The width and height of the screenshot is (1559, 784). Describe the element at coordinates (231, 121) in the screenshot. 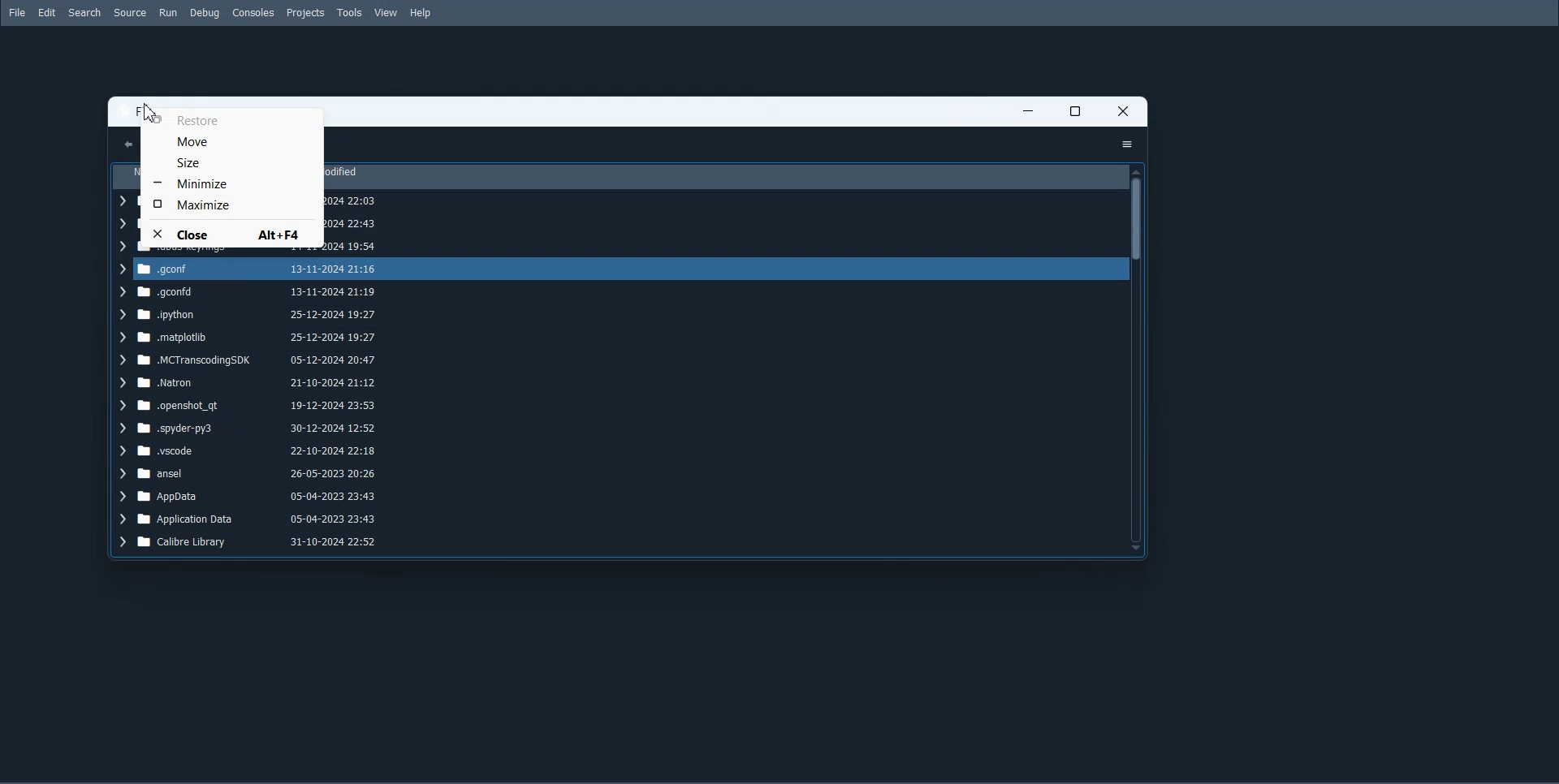

I see `Restore` at that location.